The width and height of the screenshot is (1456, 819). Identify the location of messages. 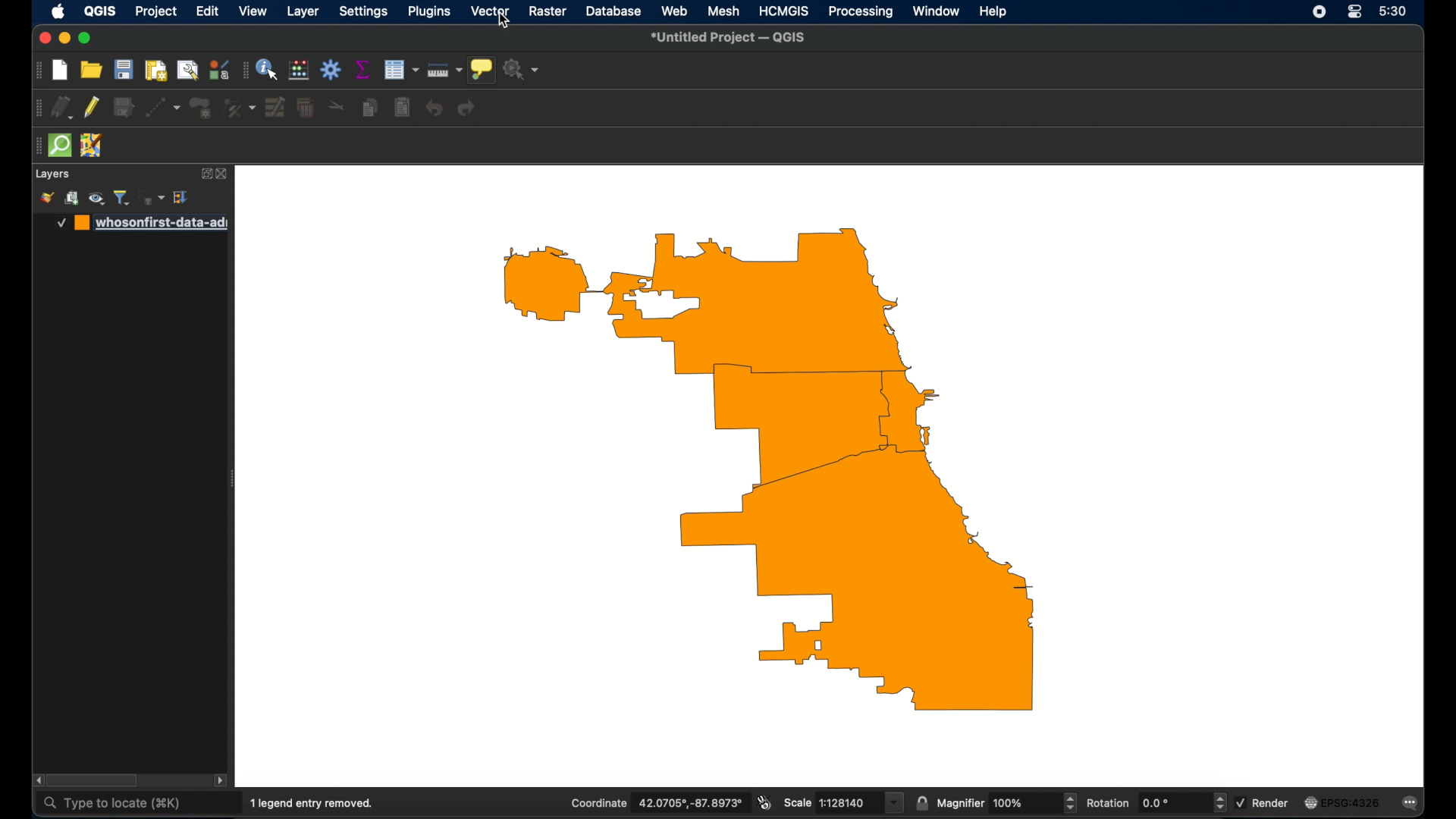
(1412, 804).